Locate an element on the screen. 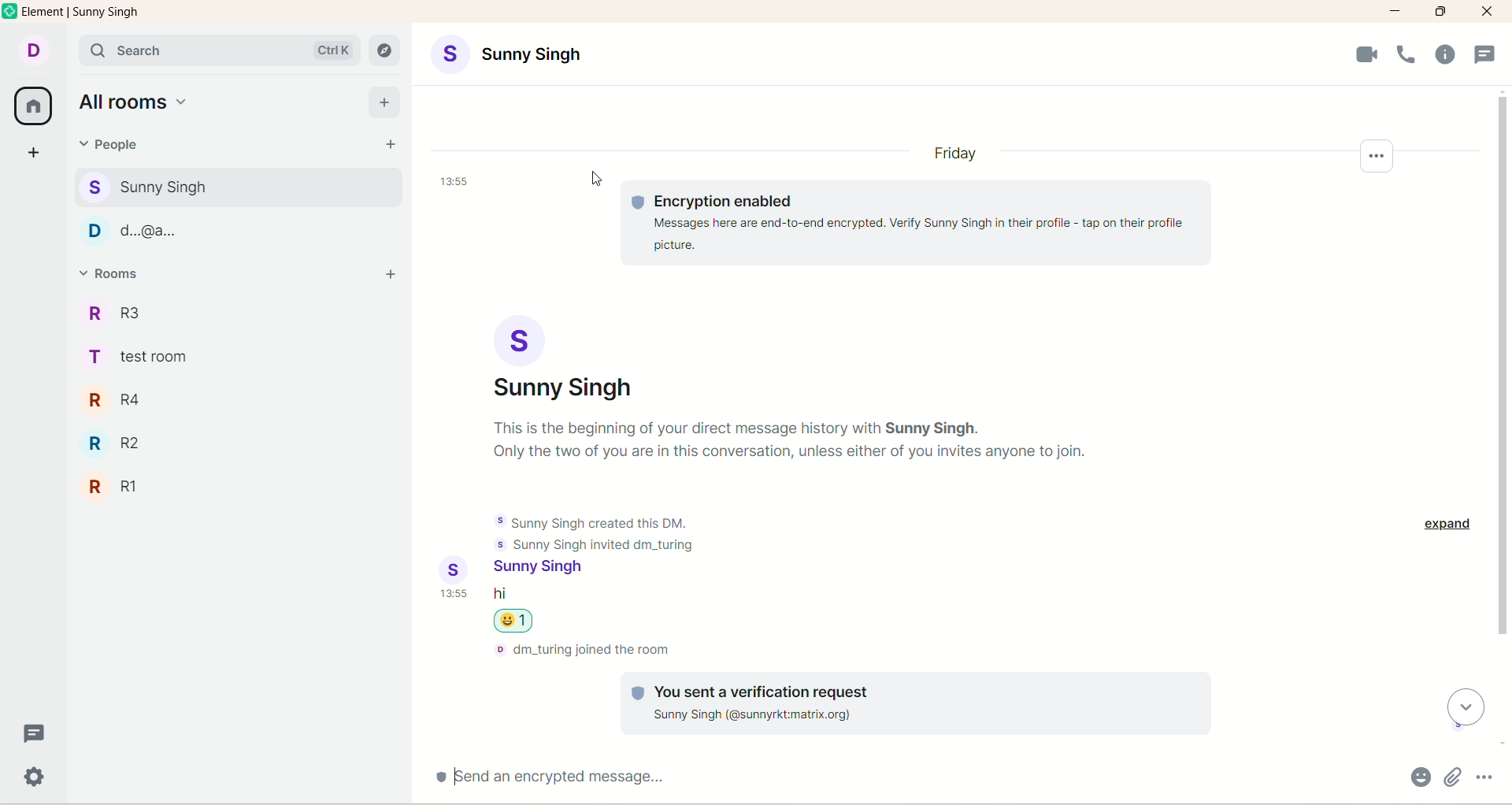  all rooms is located at coordinates (32, 106).